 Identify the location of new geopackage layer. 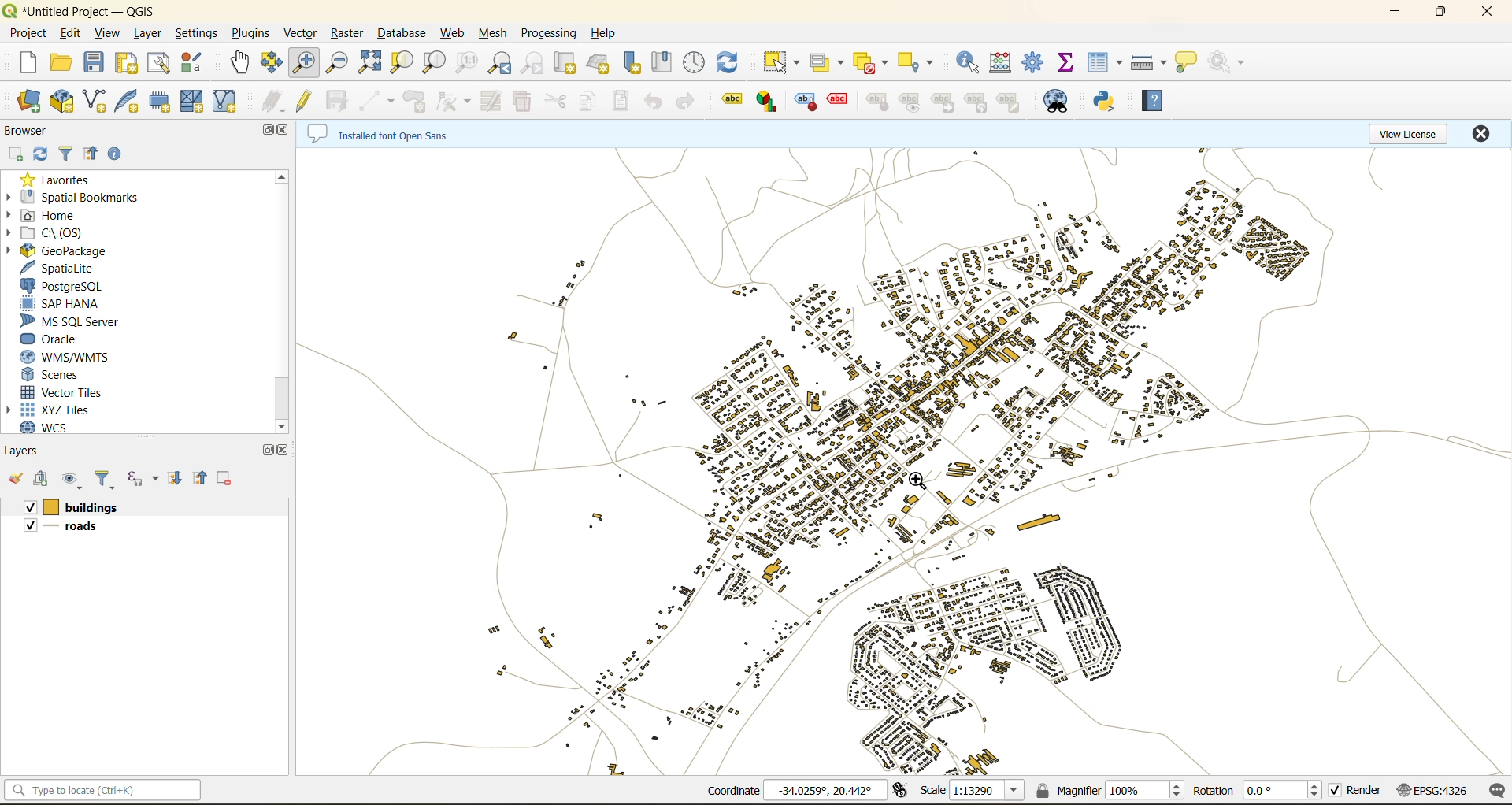
(65, 100).